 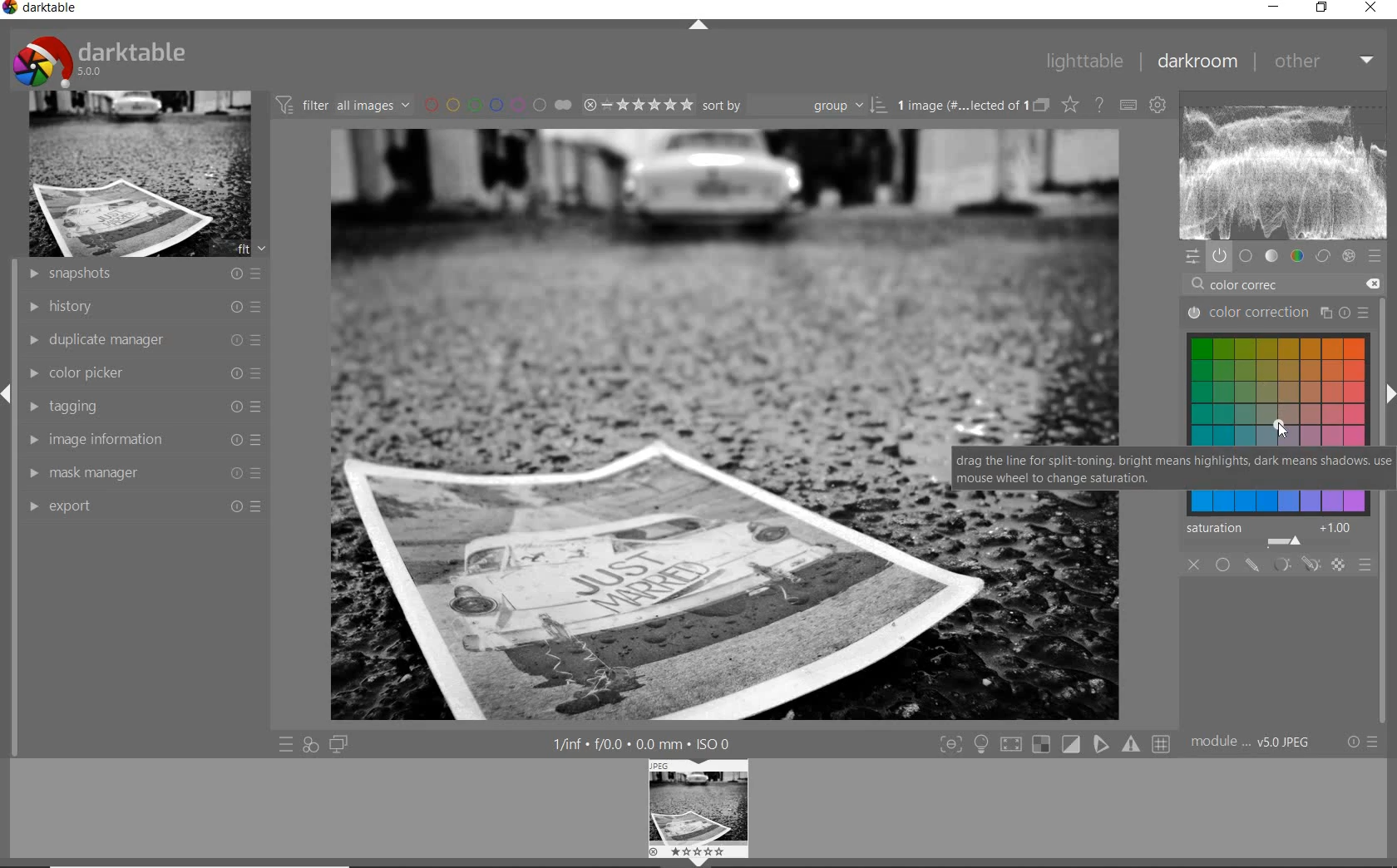 What do you see at coordinates (338, 744) in the screenshot?
I see `display a second darkroom image window` at bounding box center [338, 744].